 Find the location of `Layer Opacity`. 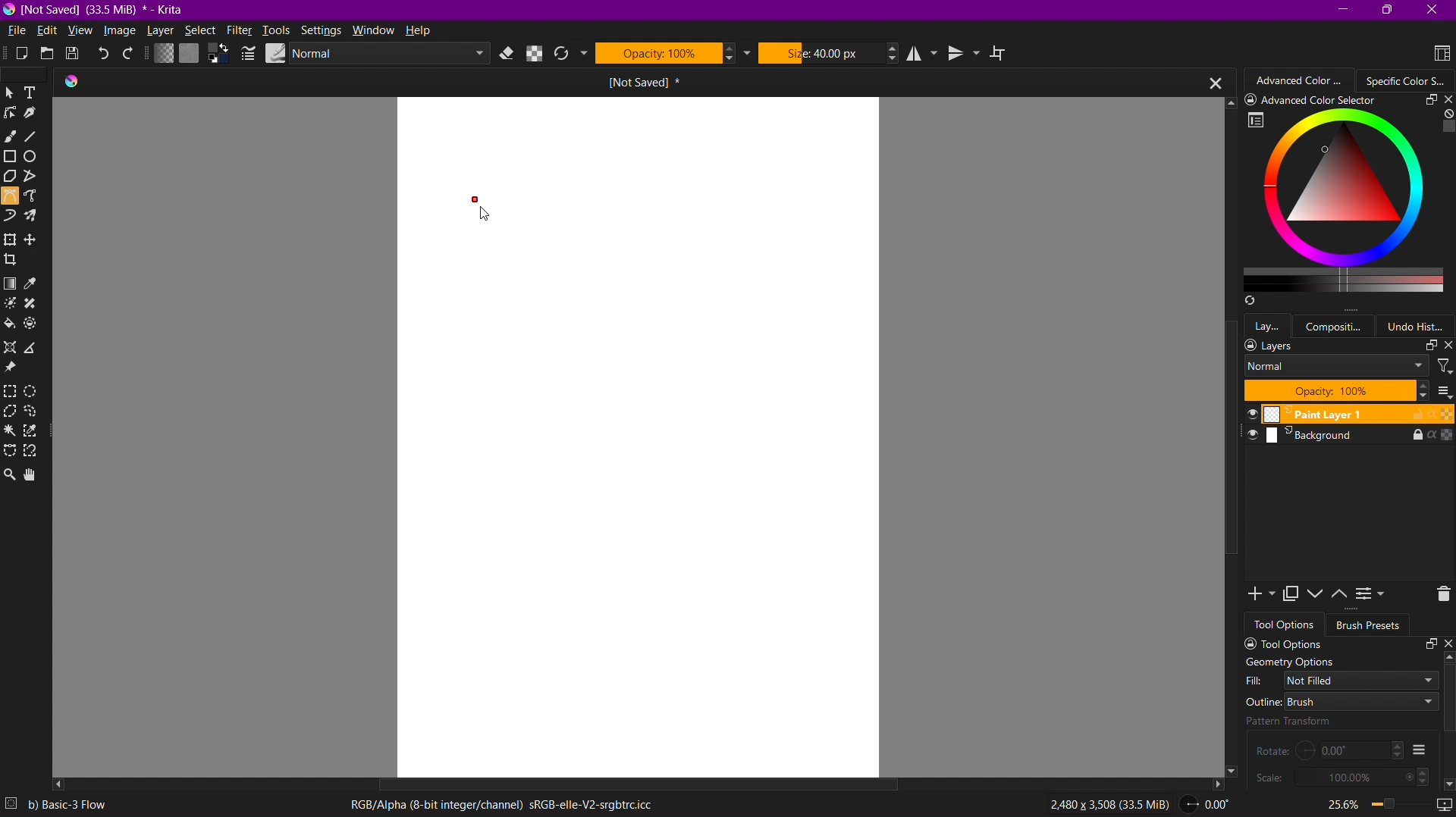

Layer Opacity is located at coordinates (1336, 390).